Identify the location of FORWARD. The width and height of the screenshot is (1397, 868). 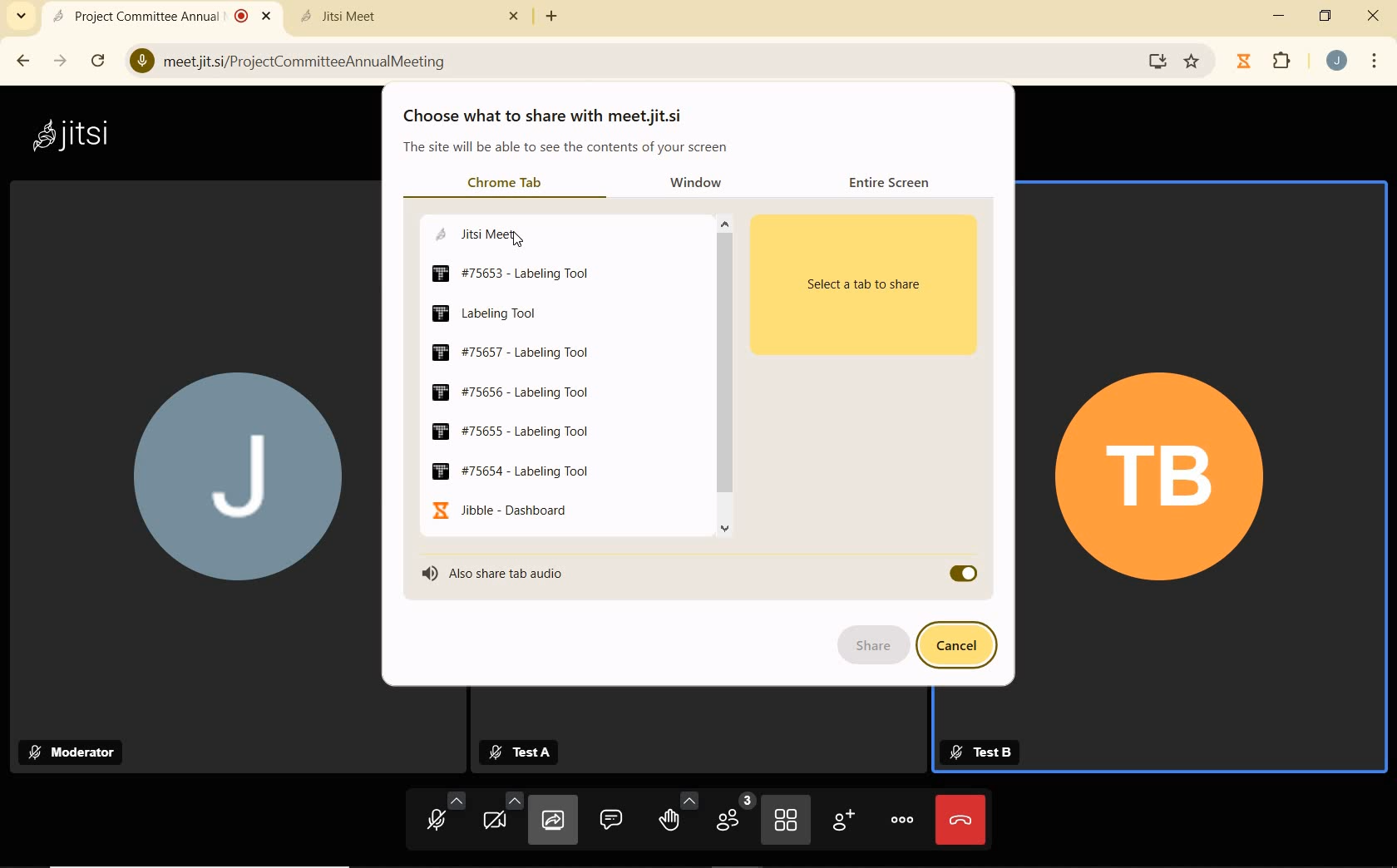
(62, 61).